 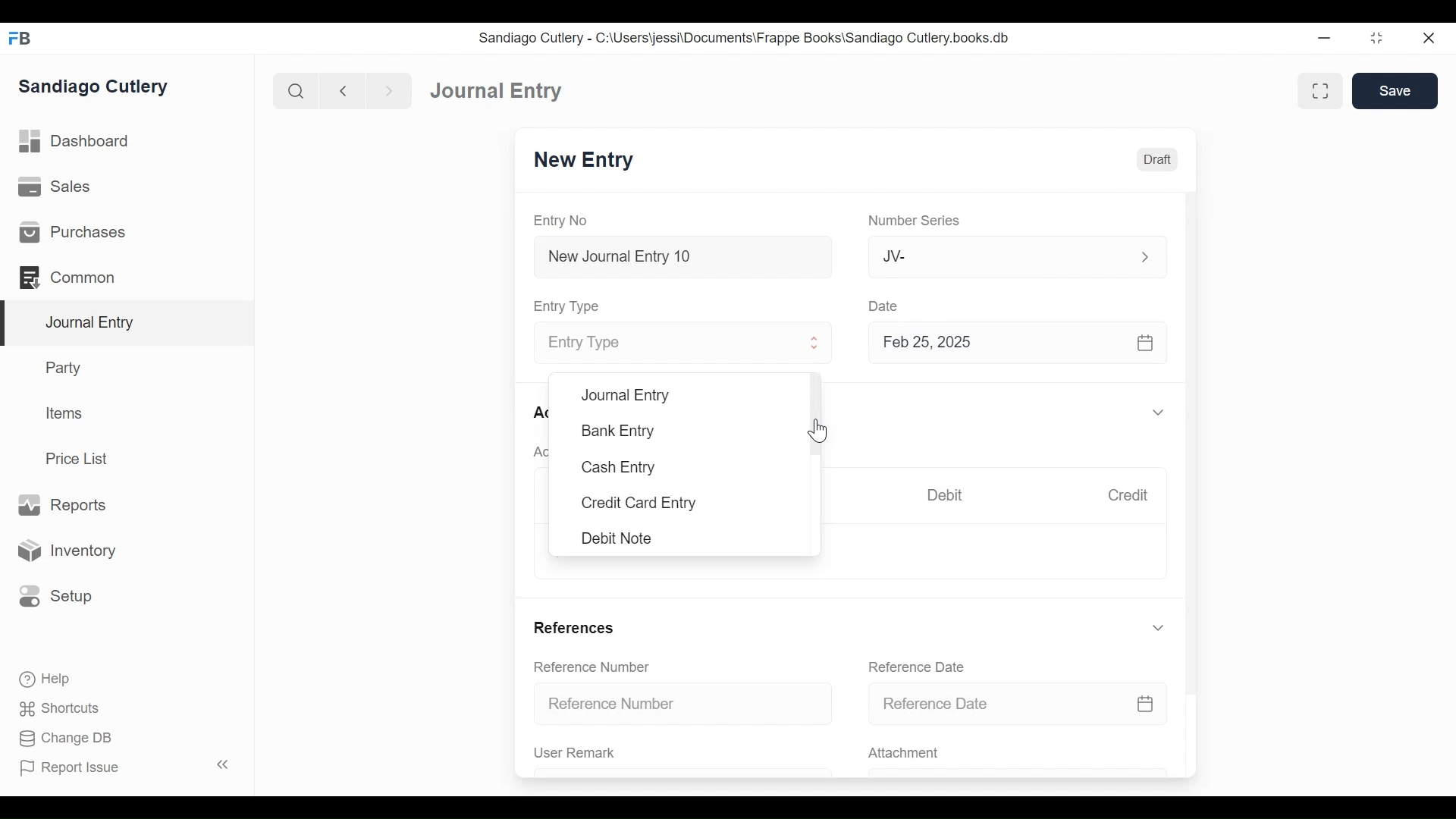 I want to click on Journal Entry, so click(x=626, y=396).